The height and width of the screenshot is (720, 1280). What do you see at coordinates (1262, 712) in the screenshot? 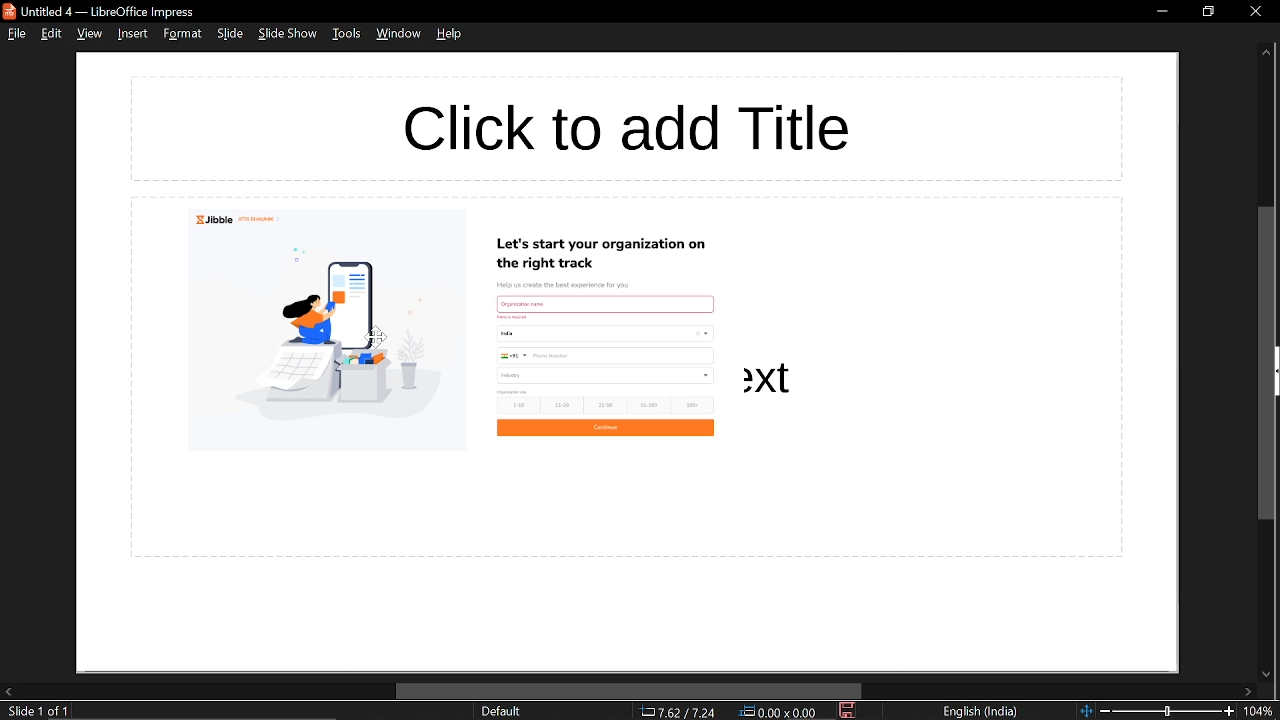
I see `current zoom` at bounding box center [1262, 712].